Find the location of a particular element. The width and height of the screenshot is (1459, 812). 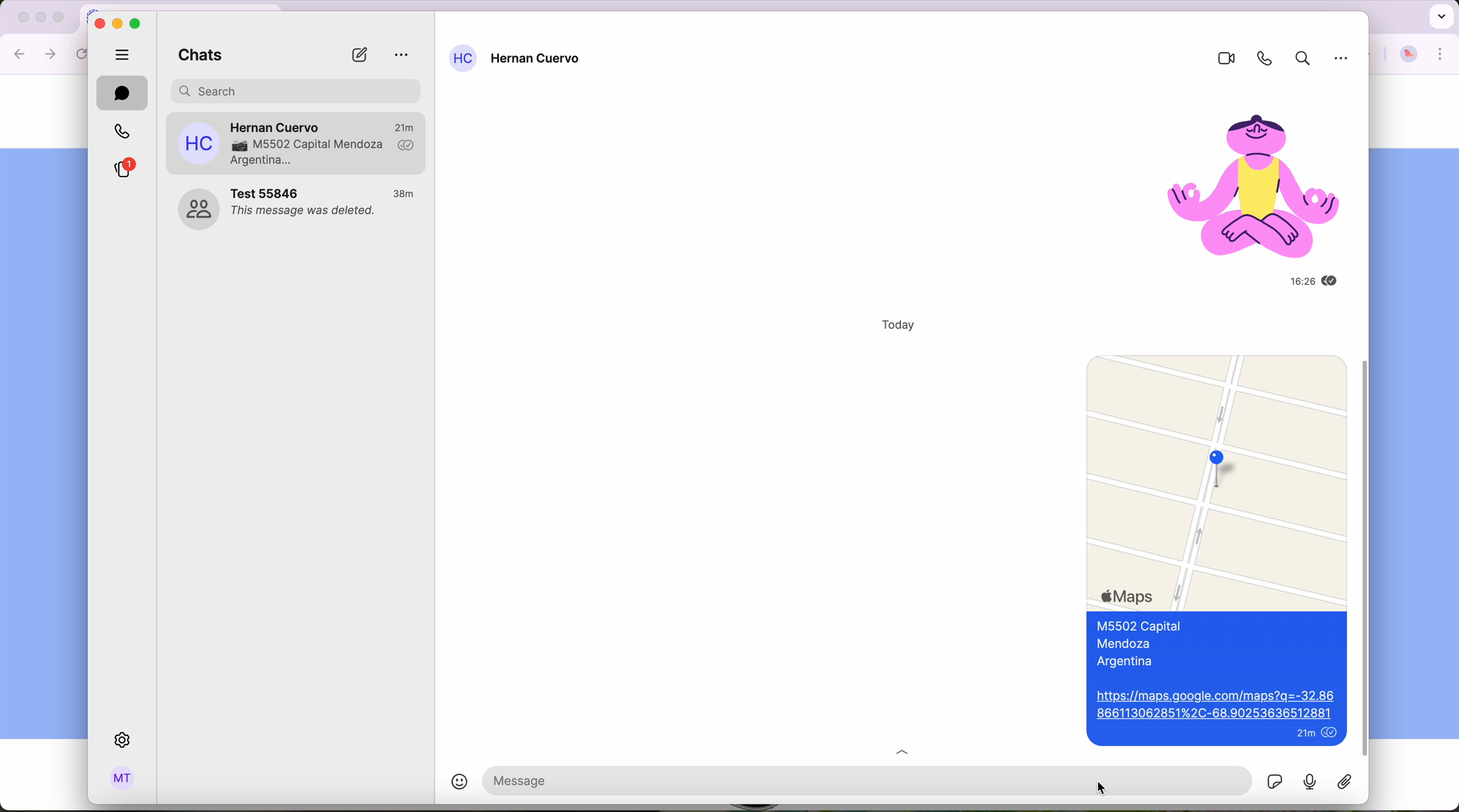

Hernan Cuervo is located at coordinates (276, 124).